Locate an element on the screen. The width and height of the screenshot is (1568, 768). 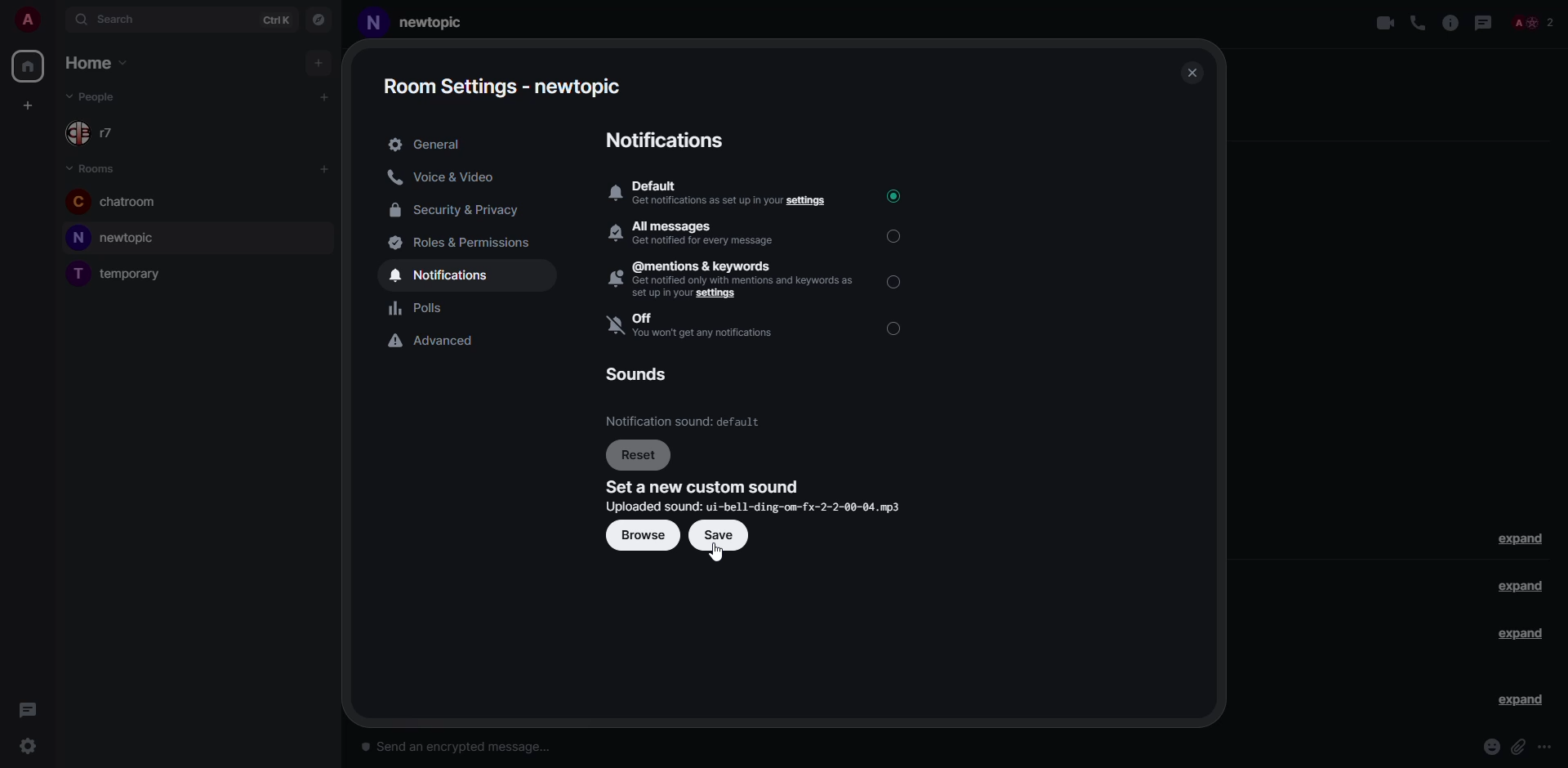
profile is located at coordinates (24, 17).